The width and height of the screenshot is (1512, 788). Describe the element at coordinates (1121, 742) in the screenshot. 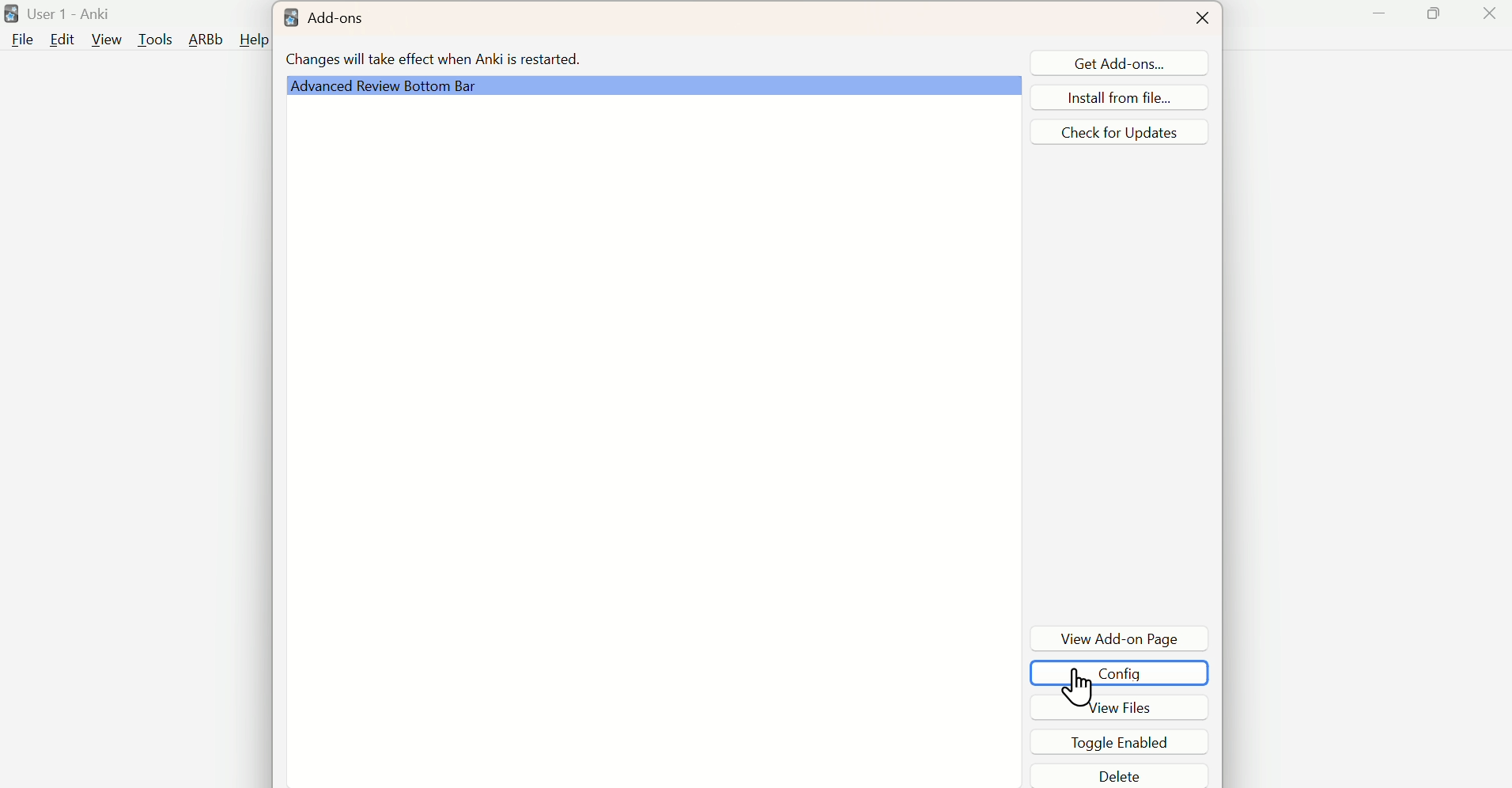

I see `Toggle Enabled` at that location.